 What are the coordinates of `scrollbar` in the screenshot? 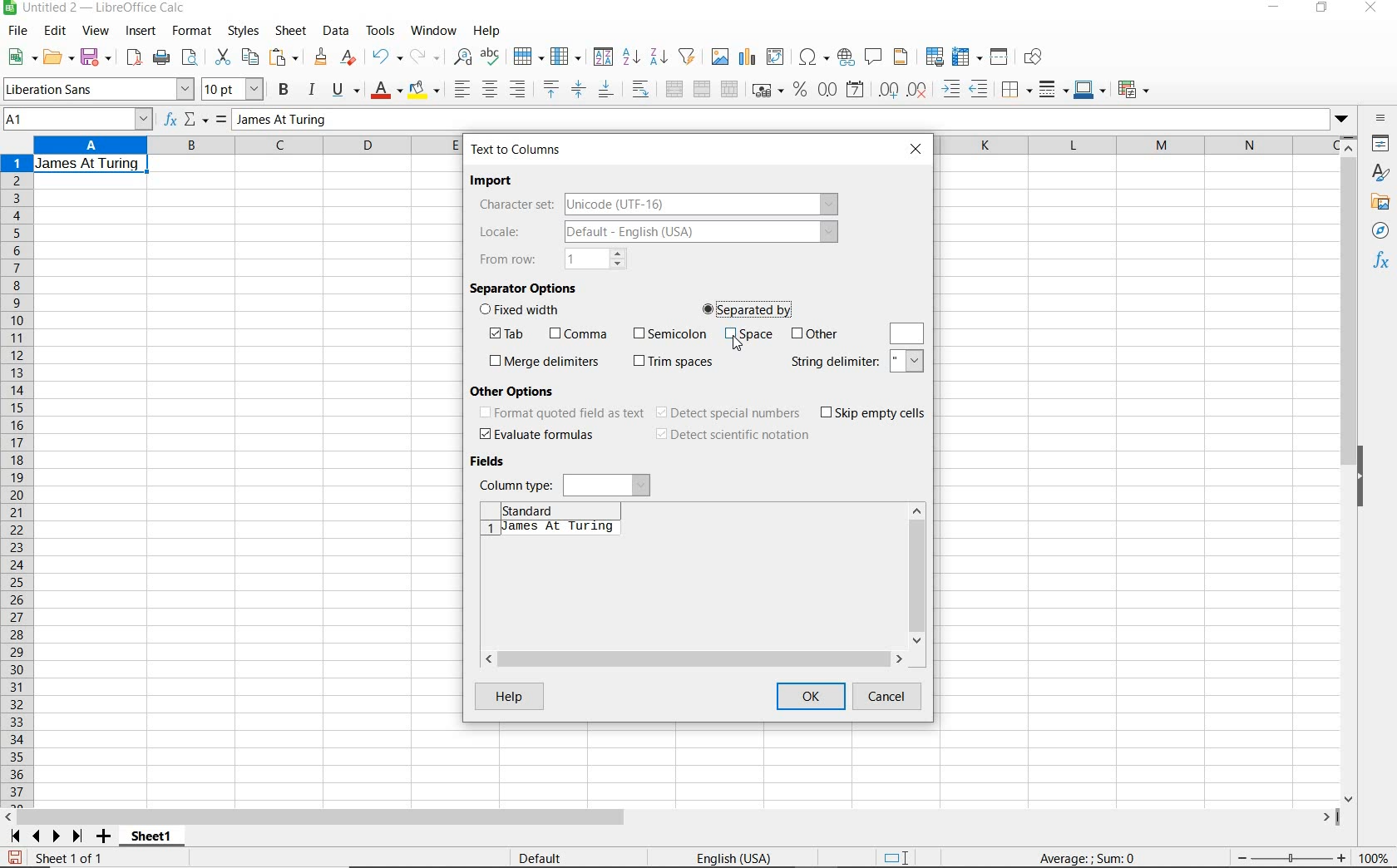 It's located at (673, 818).